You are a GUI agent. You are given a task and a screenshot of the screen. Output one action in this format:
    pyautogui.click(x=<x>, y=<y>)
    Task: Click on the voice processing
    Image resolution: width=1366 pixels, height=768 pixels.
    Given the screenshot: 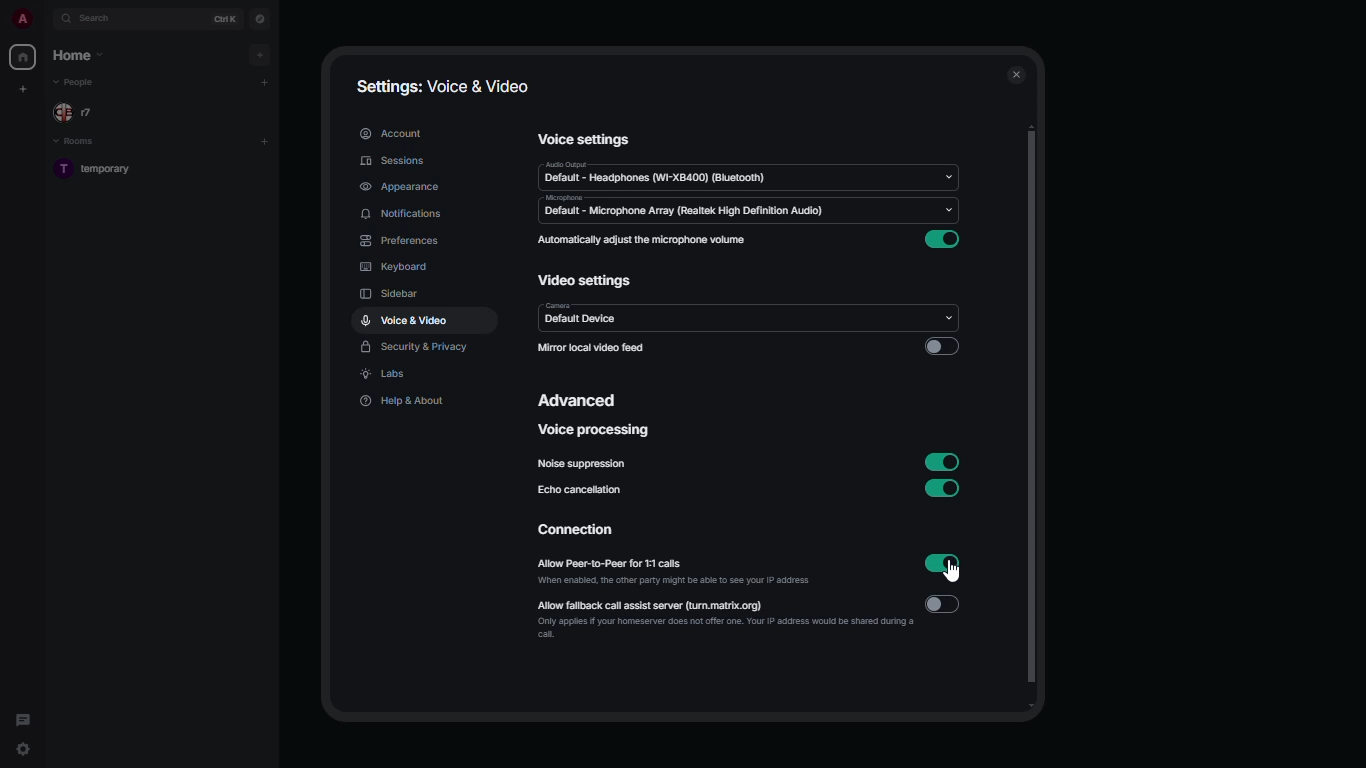 What is the action you would take?
    pyautogui.click(x=593, y=431)
    